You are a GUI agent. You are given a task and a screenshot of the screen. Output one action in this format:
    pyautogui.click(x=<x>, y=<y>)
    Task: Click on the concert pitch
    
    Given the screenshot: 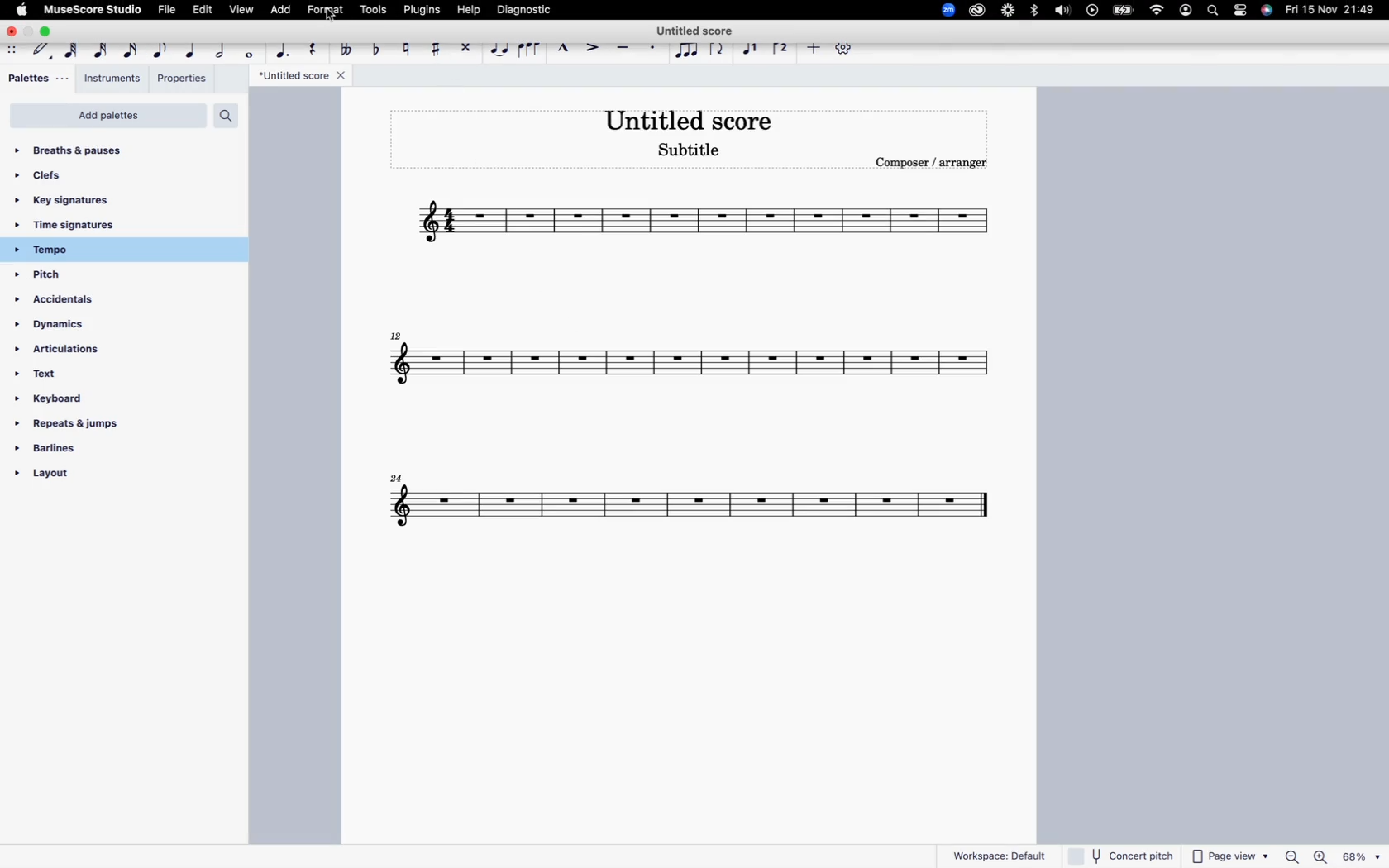 What is the action you would take?
    pyautogui.click(x=1122, y=855)
    